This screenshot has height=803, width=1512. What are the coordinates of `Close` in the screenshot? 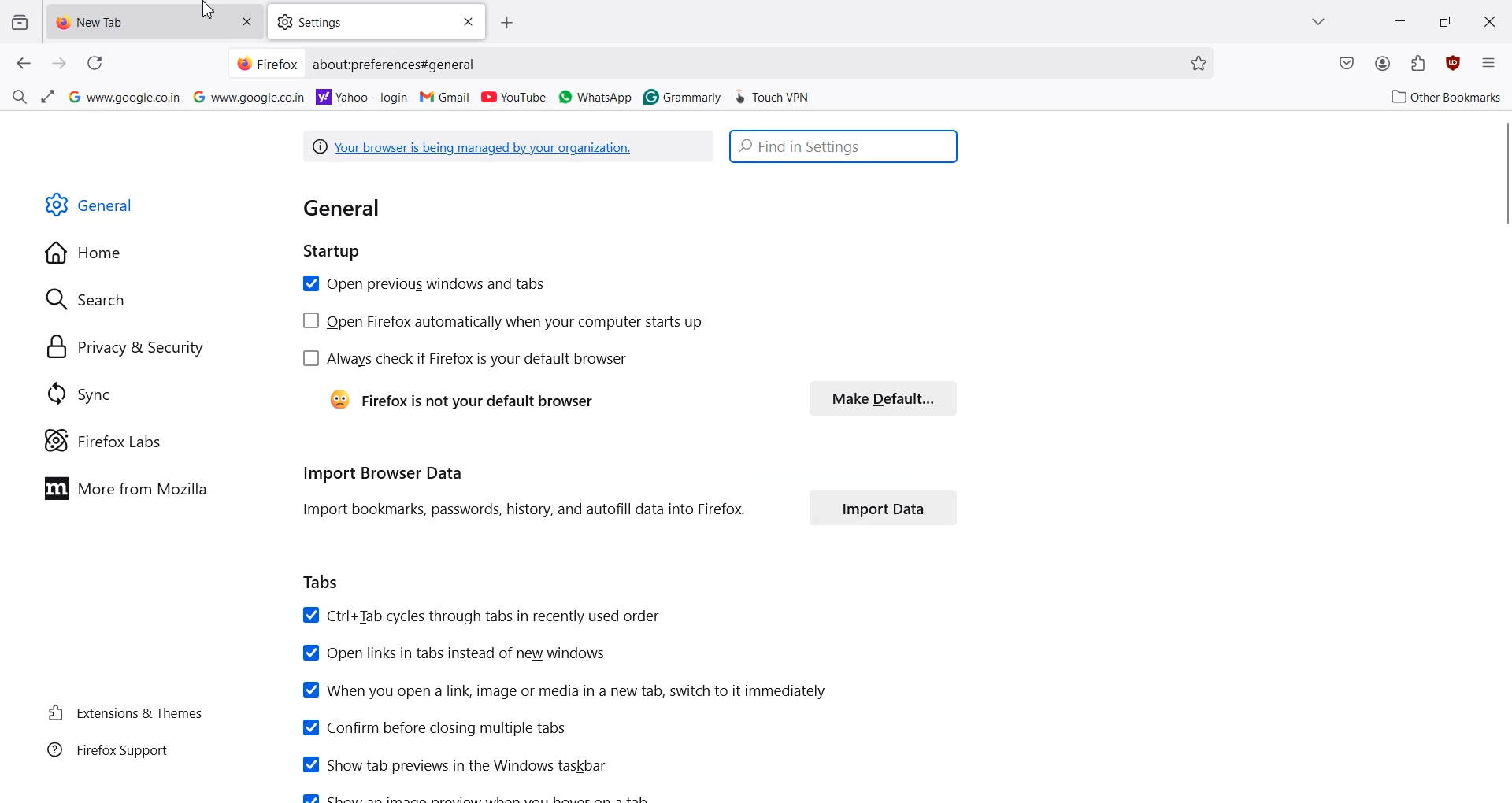 It's located at (1491, 20).